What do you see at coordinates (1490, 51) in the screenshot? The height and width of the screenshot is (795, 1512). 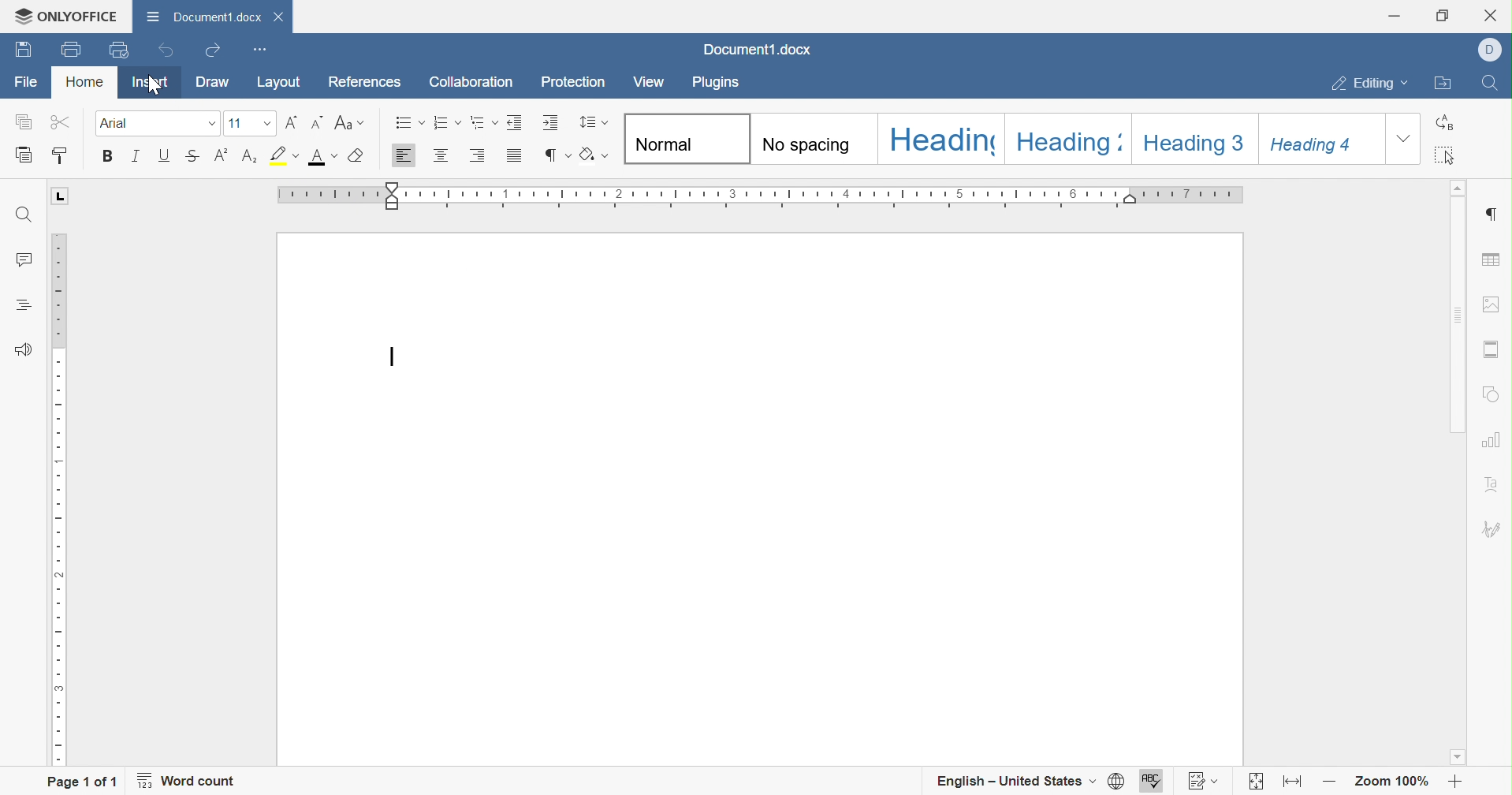 I see `Dell` at bounding box center [1490, 51].